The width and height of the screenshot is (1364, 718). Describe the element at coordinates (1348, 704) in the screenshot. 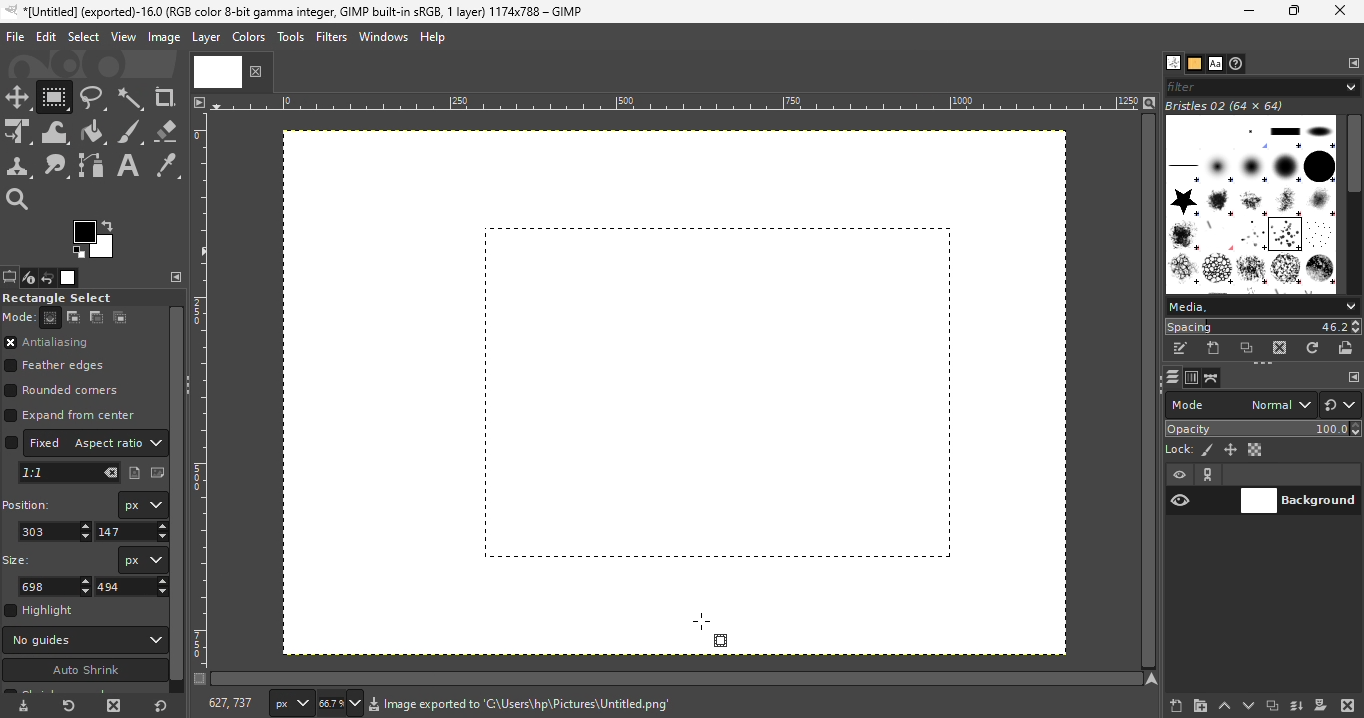

I see `Delete this layer` at that location.